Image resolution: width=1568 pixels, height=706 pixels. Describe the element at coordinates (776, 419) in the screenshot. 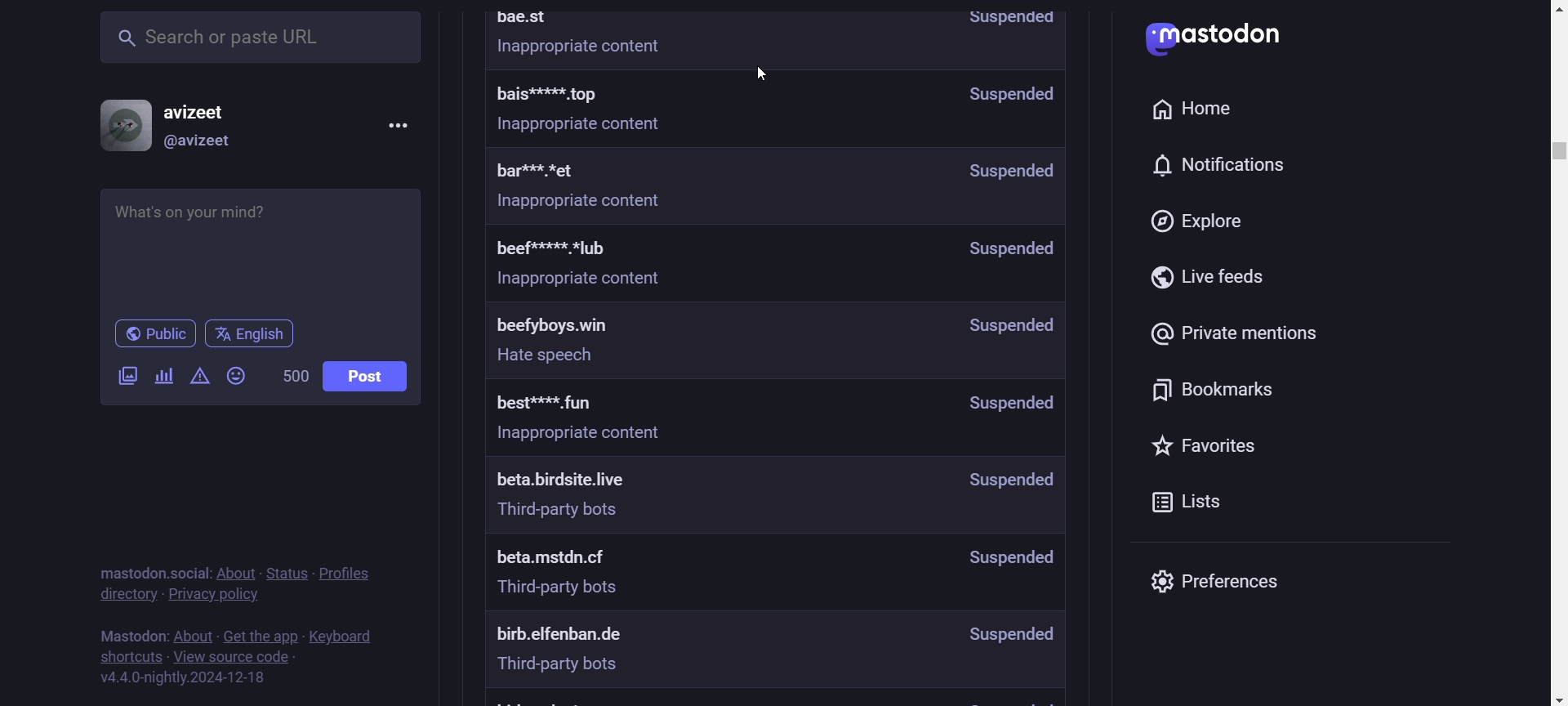

I see `moderated server's information` at that location.